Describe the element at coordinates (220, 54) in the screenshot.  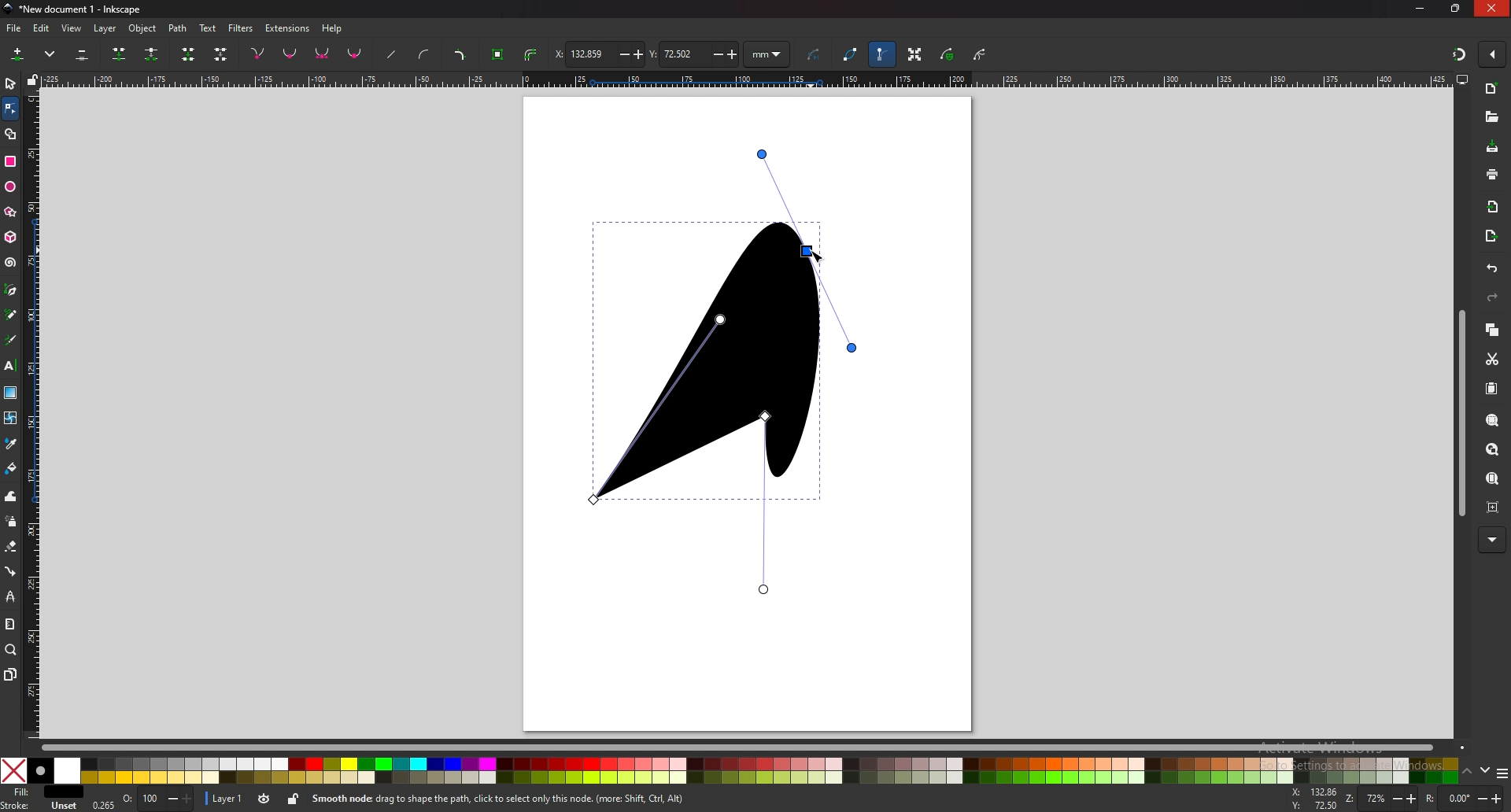
I see `delete segment between two non endpoint nodes` at that location.